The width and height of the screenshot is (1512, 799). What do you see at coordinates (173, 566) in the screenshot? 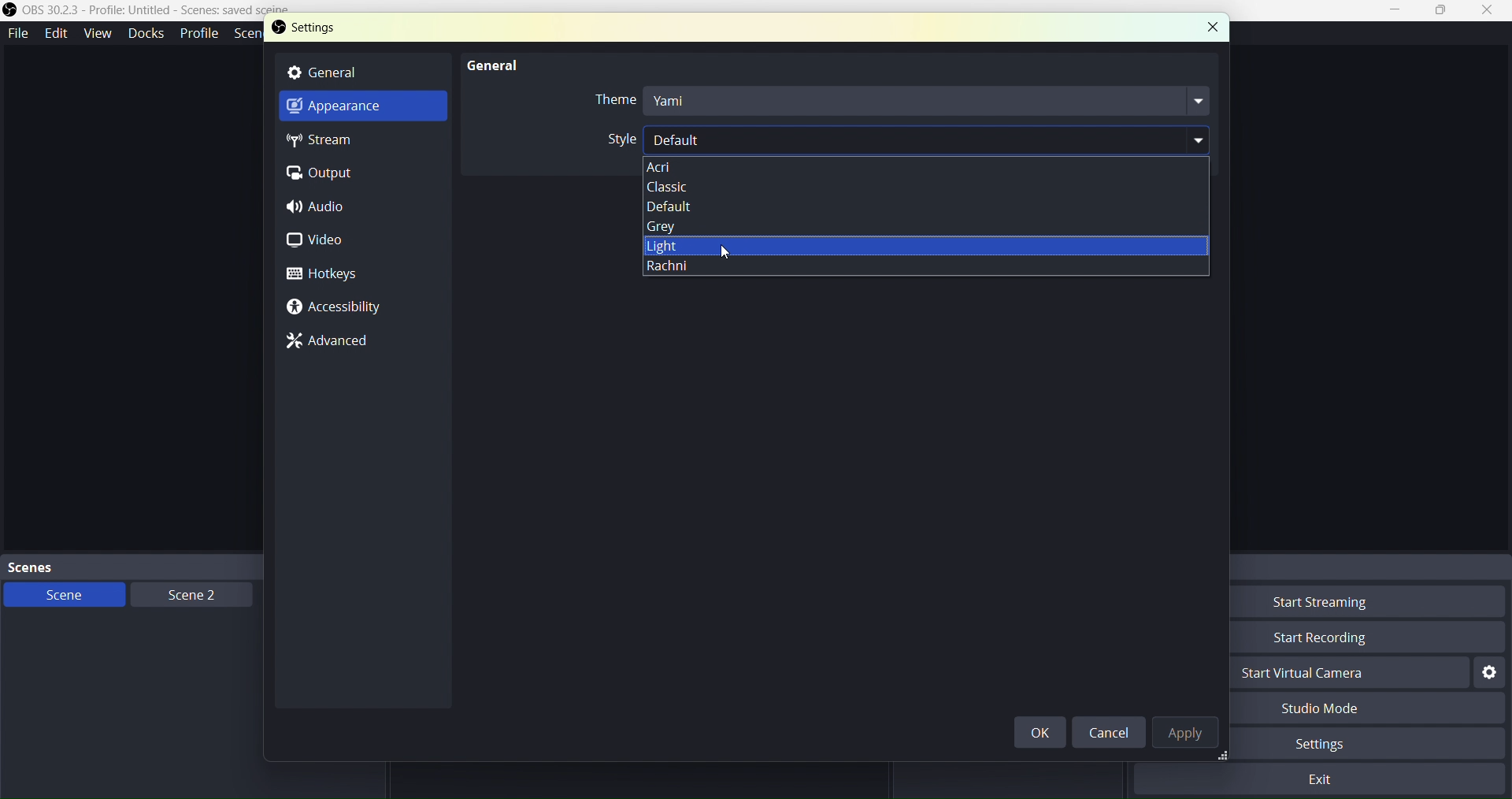
I see `Scenes` at bounding box center [173, 566].